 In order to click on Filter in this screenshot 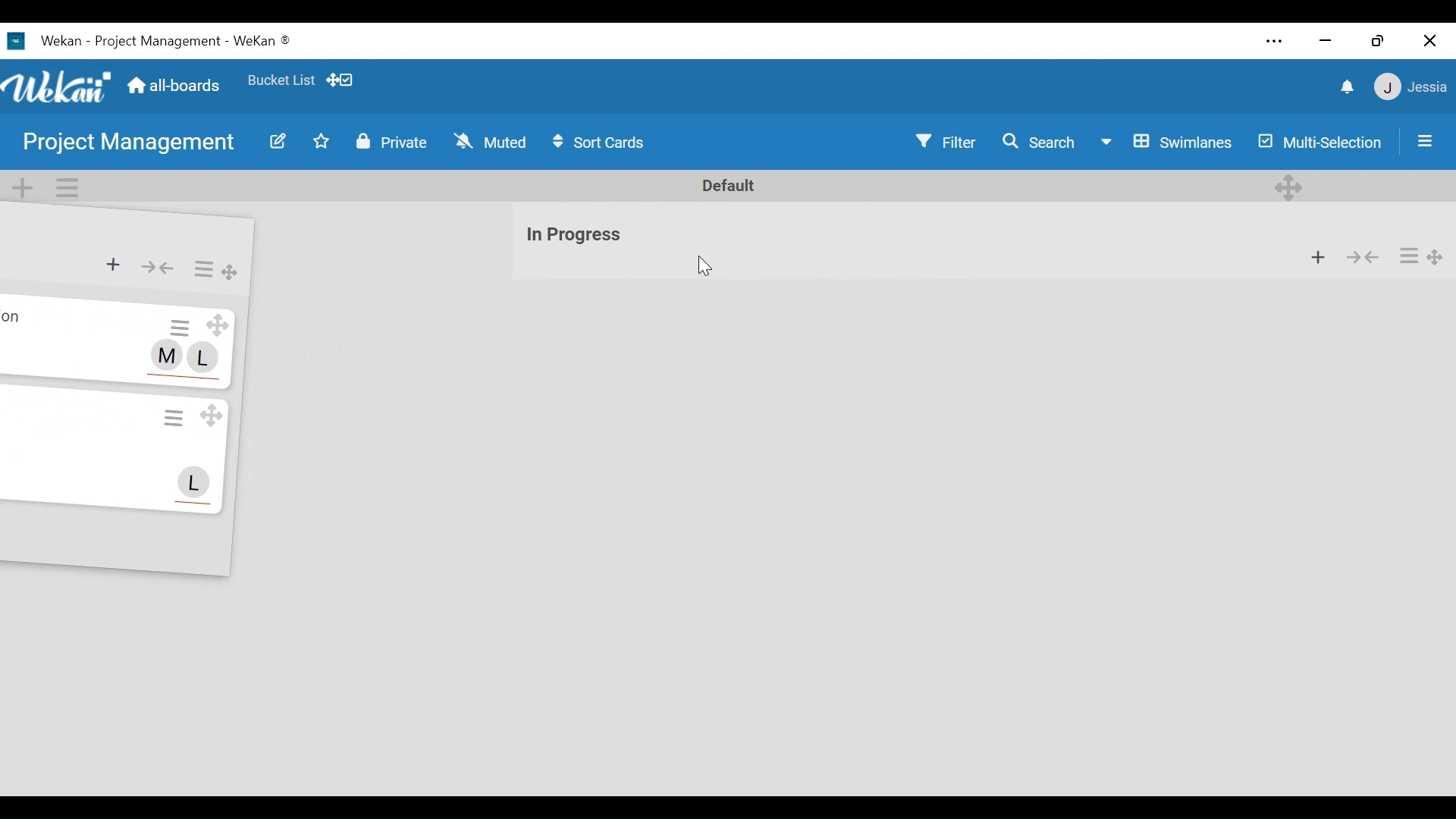, I will do `click(945, 141)`.